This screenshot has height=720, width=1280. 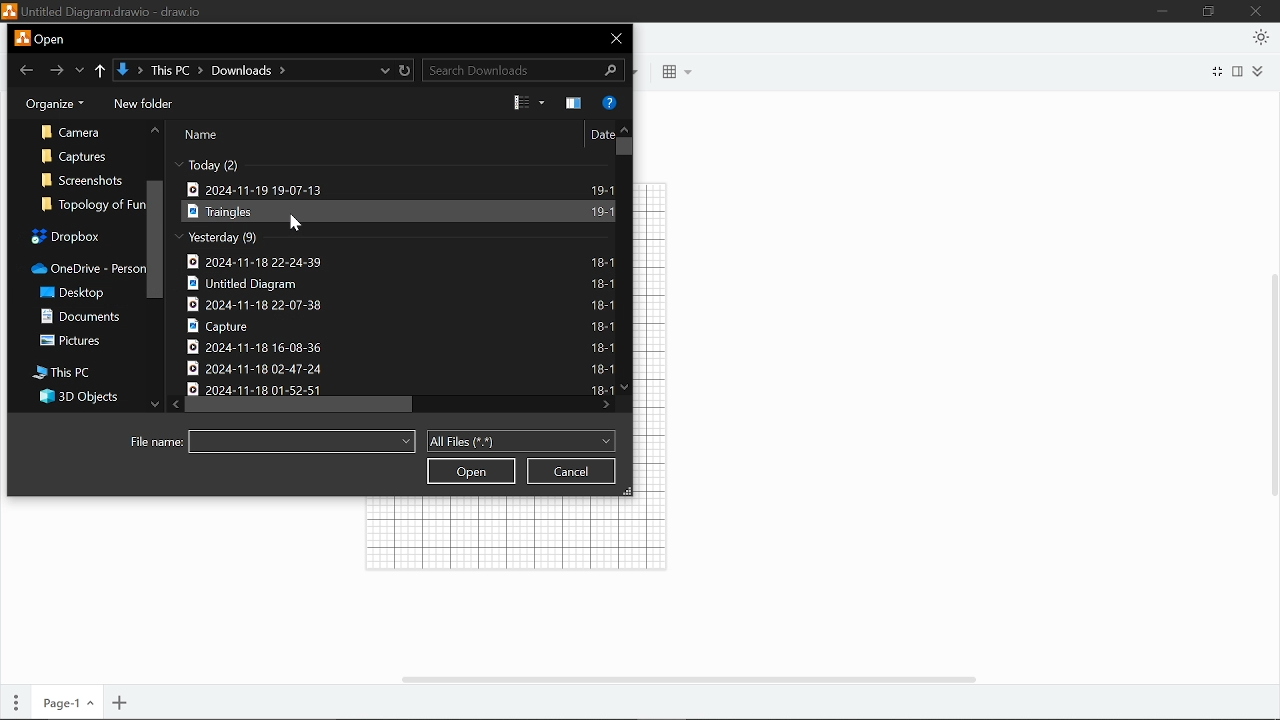 What do you see at coordinates (63, 704) in the screenshot?
I see `Current page` at bounding box center [63, 704].